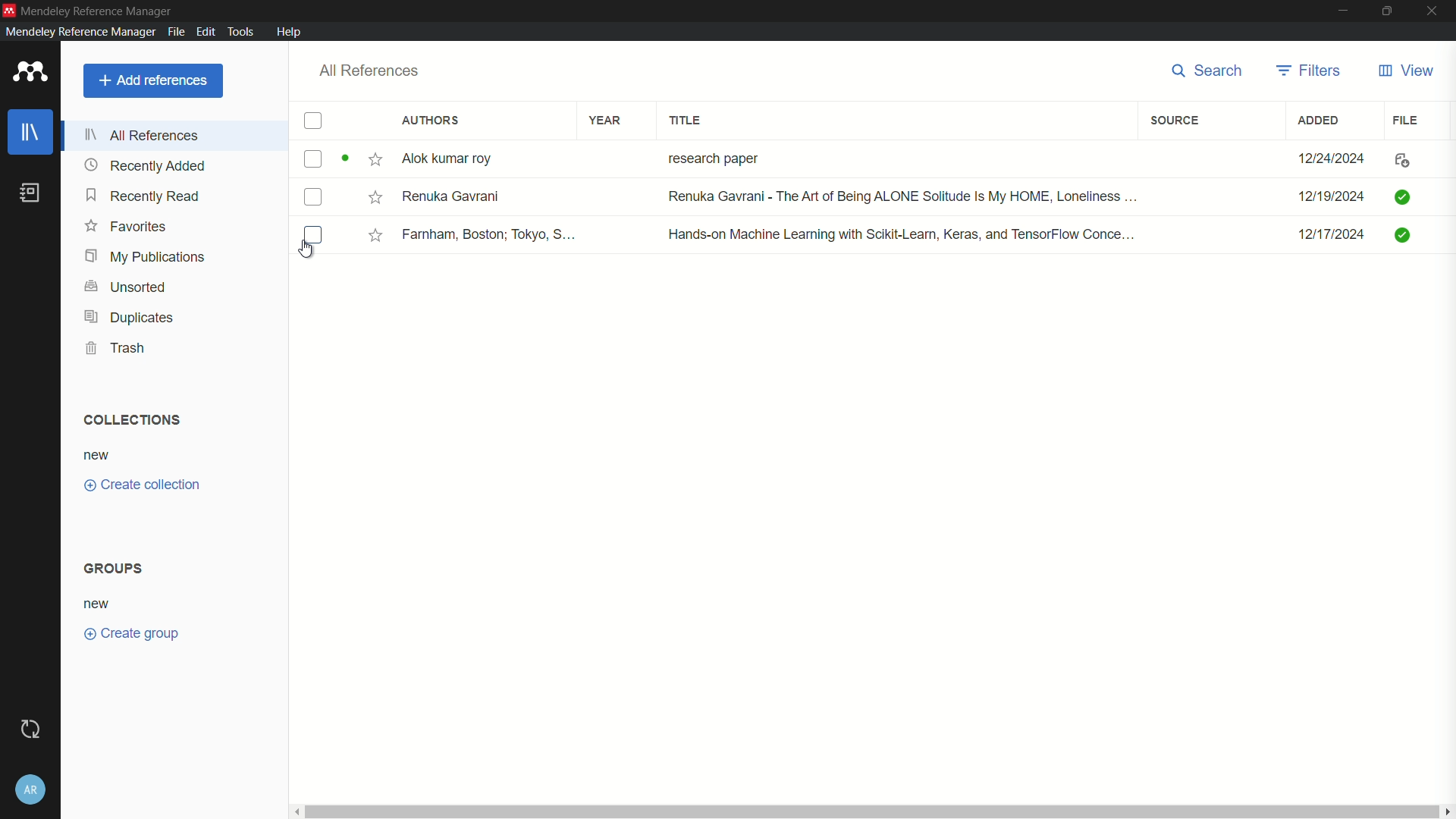  Describe the element at coordinates (1407, 158) in the screenshot. I see `File` at that location.